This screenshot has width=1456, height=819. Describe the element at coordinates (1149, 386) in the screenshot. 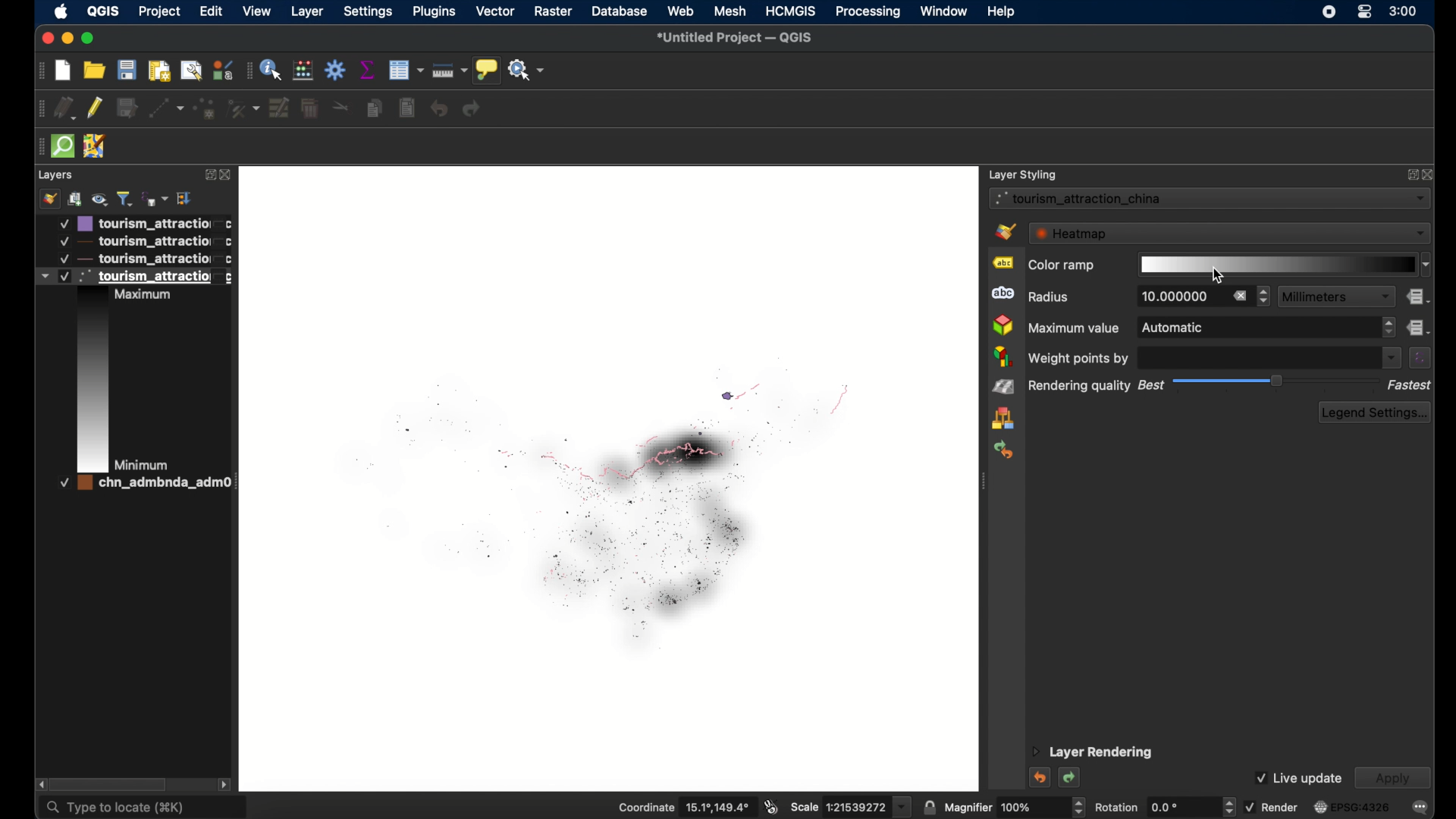

I see `best` at that location.